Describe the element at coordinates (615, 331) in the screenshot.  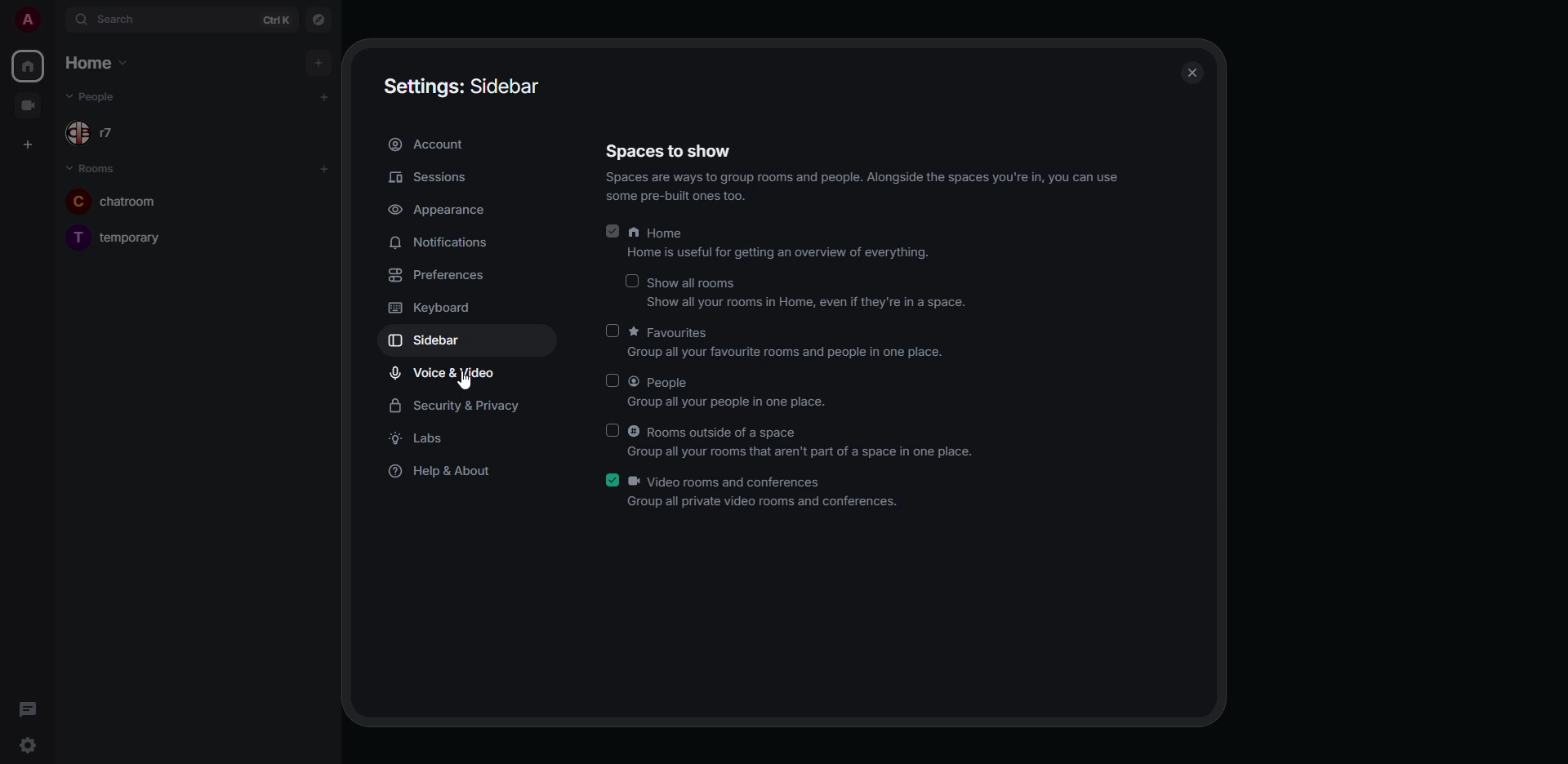
I see `click to enable` at that location.